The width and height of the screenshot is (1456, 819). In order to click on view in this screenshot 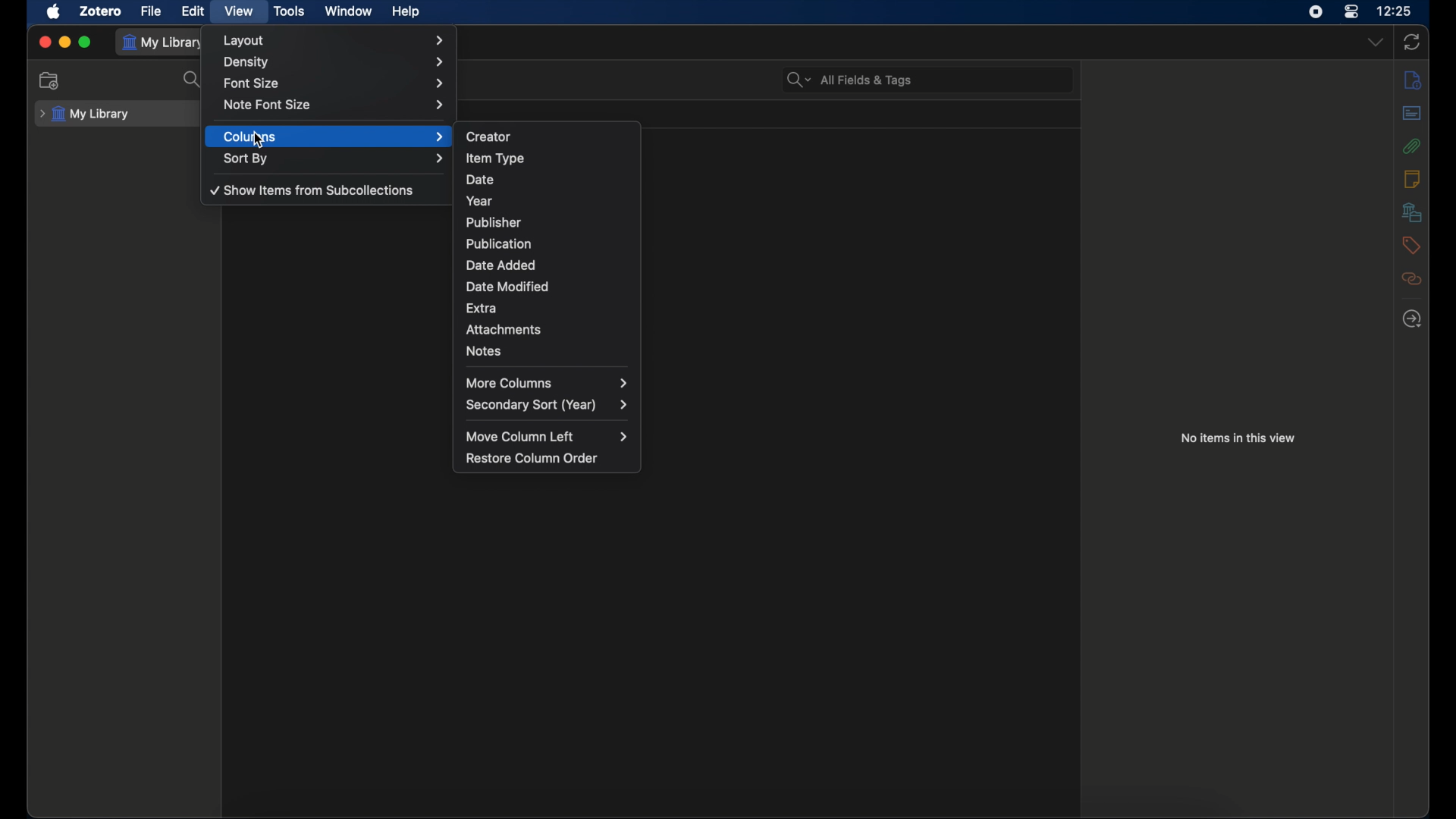, I will do `click(238, 11)`.